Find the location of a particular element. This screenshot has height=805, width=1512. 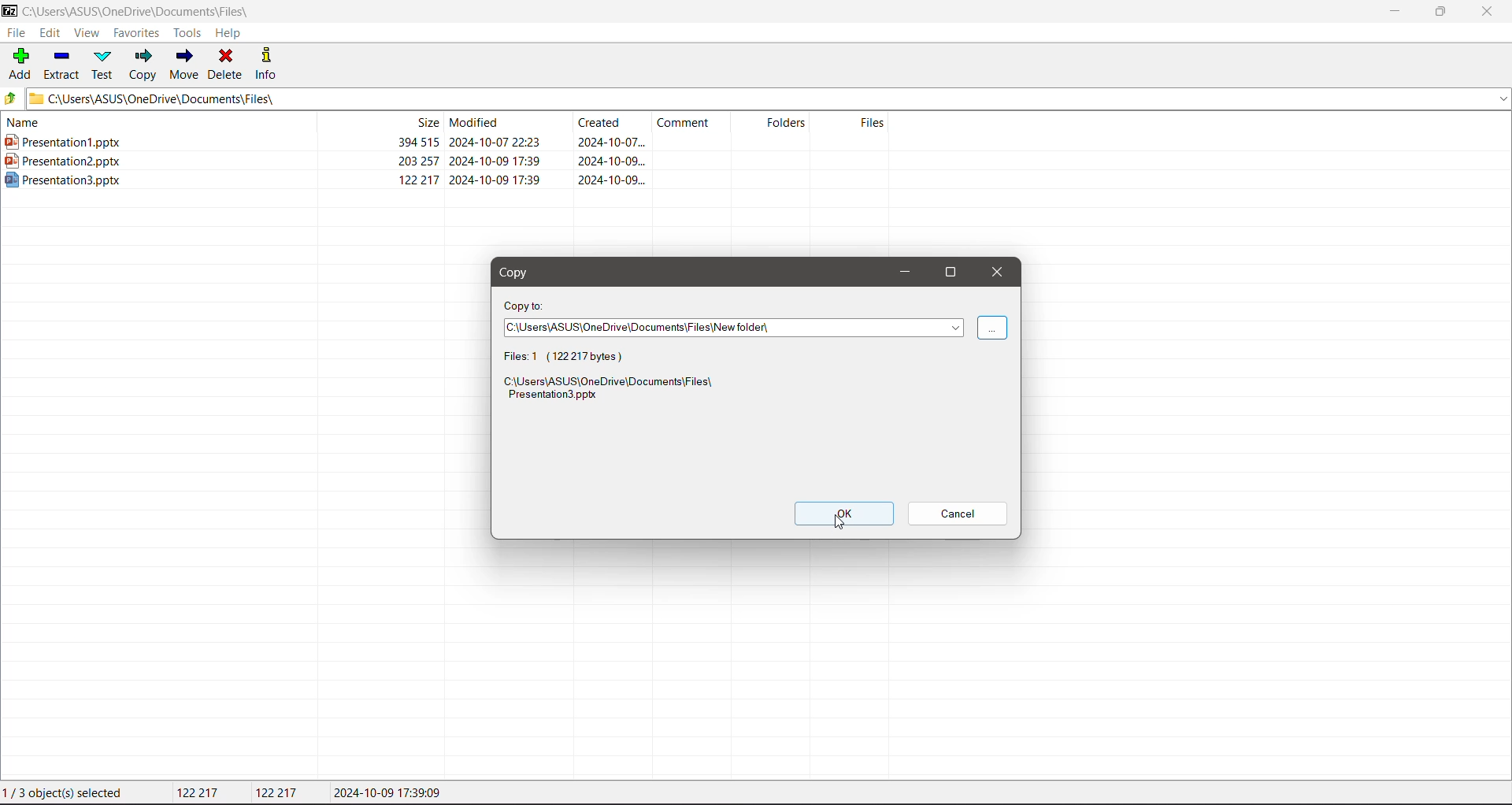

Close is located at coordinates (997, 272).